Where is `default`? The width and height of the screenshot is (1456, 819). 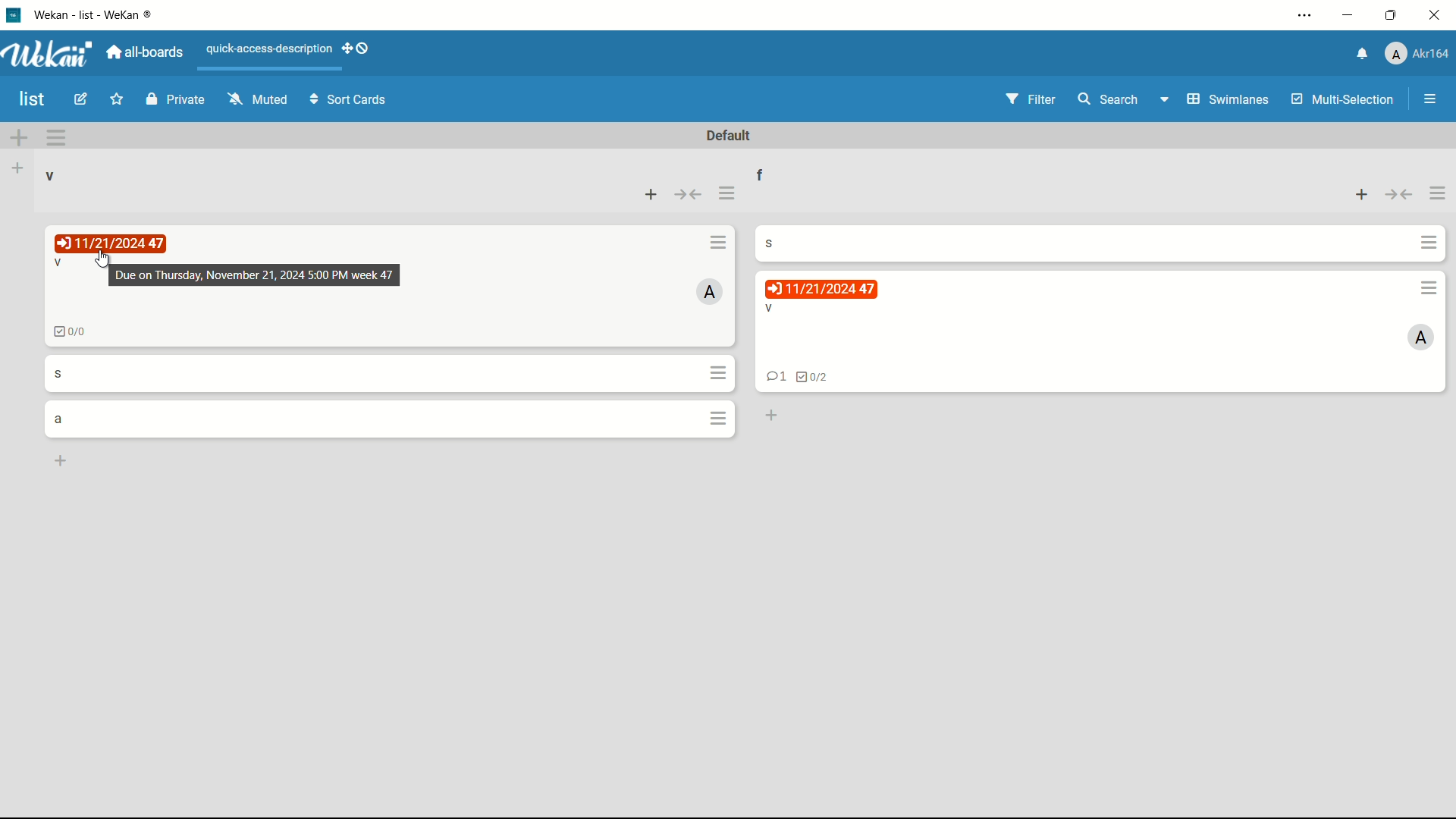
default is located at coordinates (730, 136).